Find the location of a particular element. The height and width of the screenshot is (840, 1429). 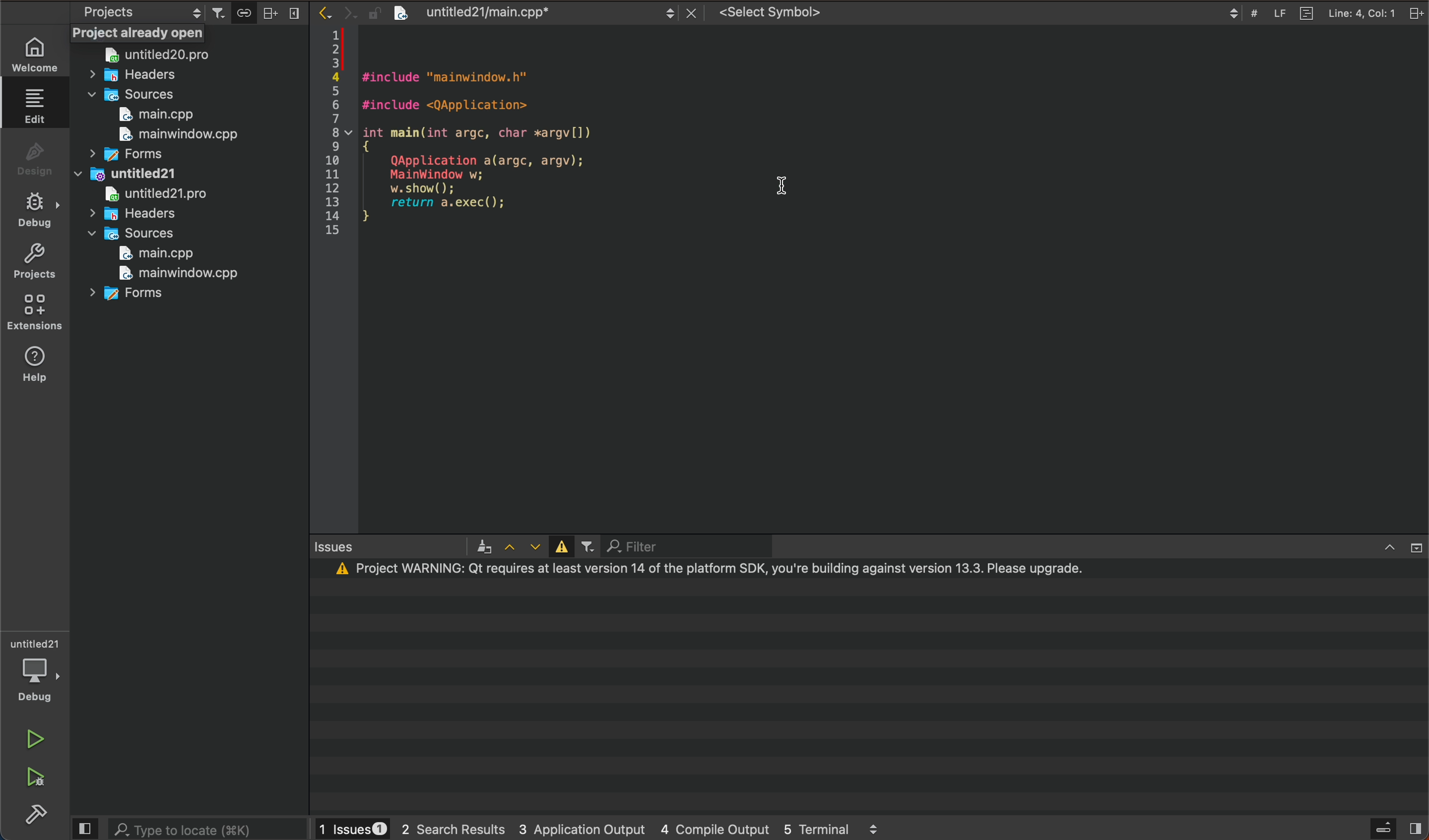

close slide bar is located at coordinates (1388, 828).